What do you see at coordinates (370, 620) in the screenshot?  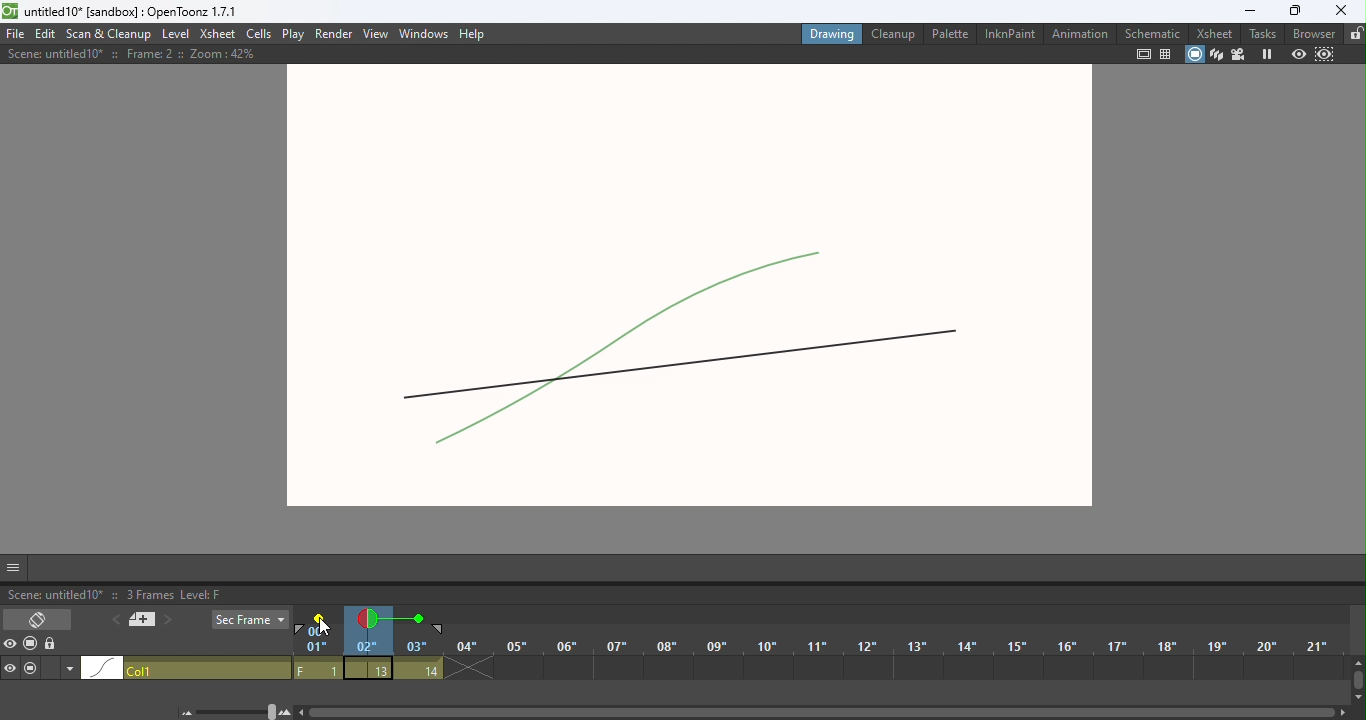 I see `Onion skin` at bounding box center [370, 620].